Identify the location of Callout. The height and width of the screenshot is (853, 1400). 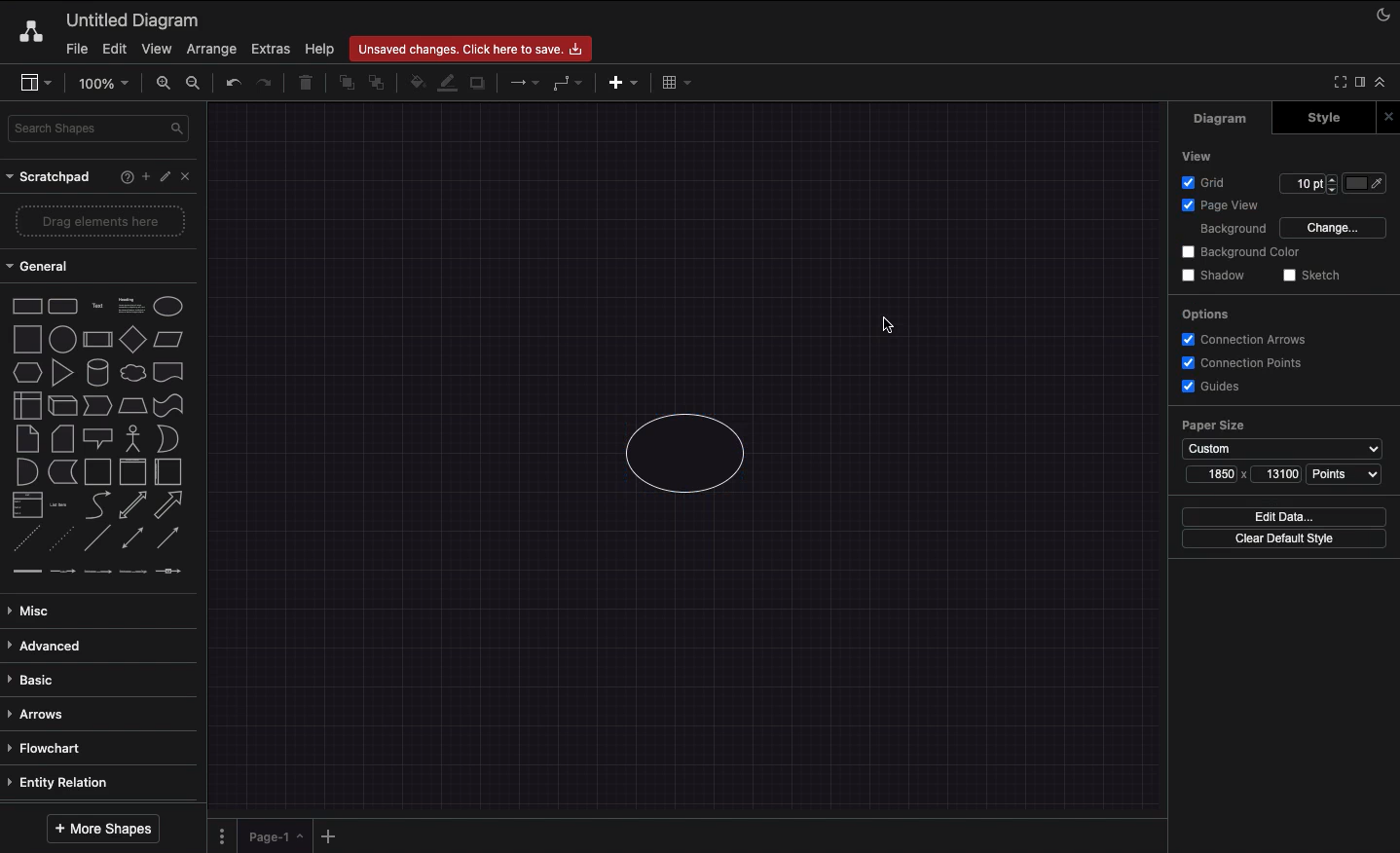
(99, 438).